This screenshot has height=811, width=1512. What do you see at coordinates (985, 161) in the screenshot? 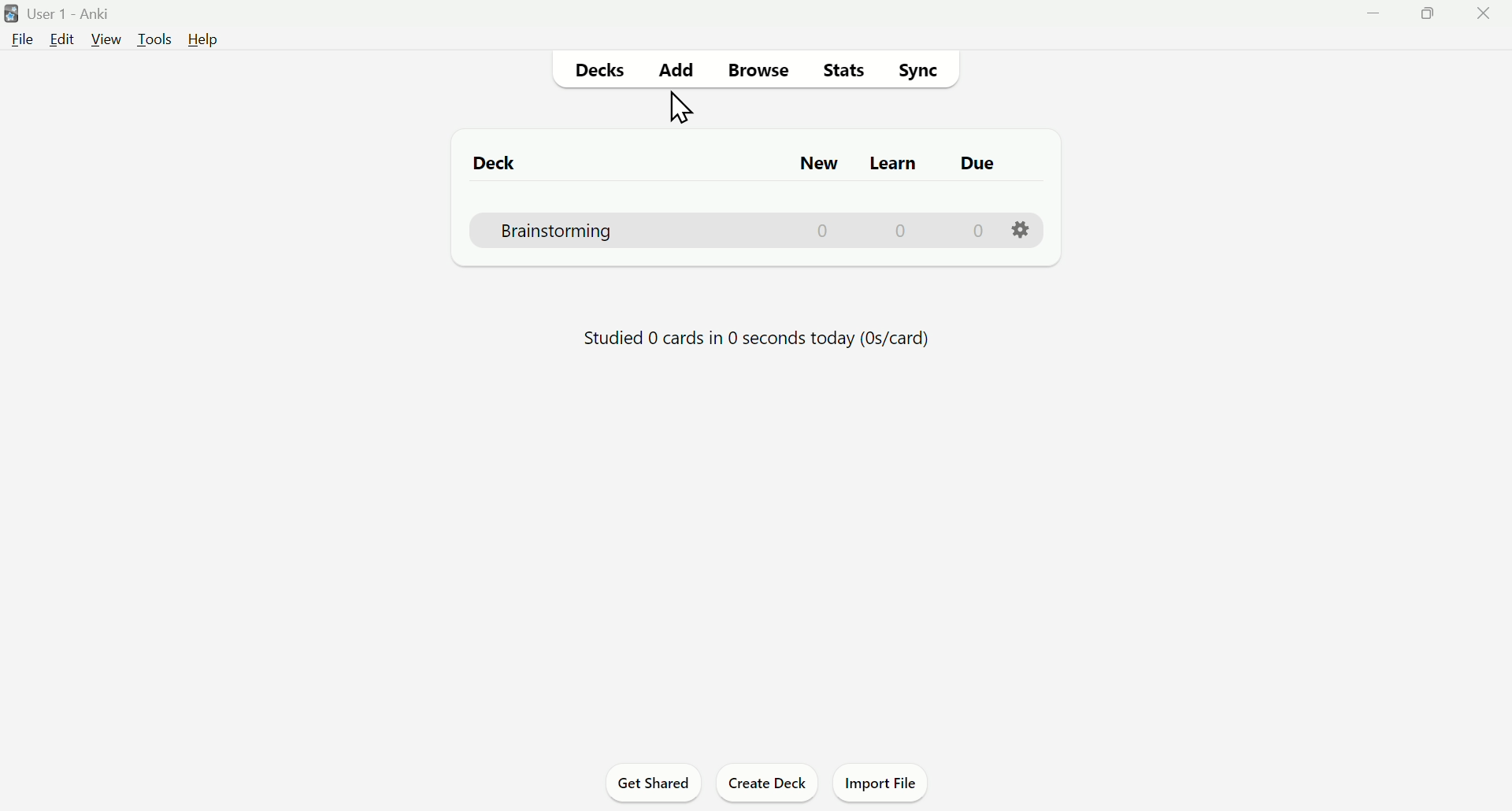
I see `Due` at bounding box center [985, 161].